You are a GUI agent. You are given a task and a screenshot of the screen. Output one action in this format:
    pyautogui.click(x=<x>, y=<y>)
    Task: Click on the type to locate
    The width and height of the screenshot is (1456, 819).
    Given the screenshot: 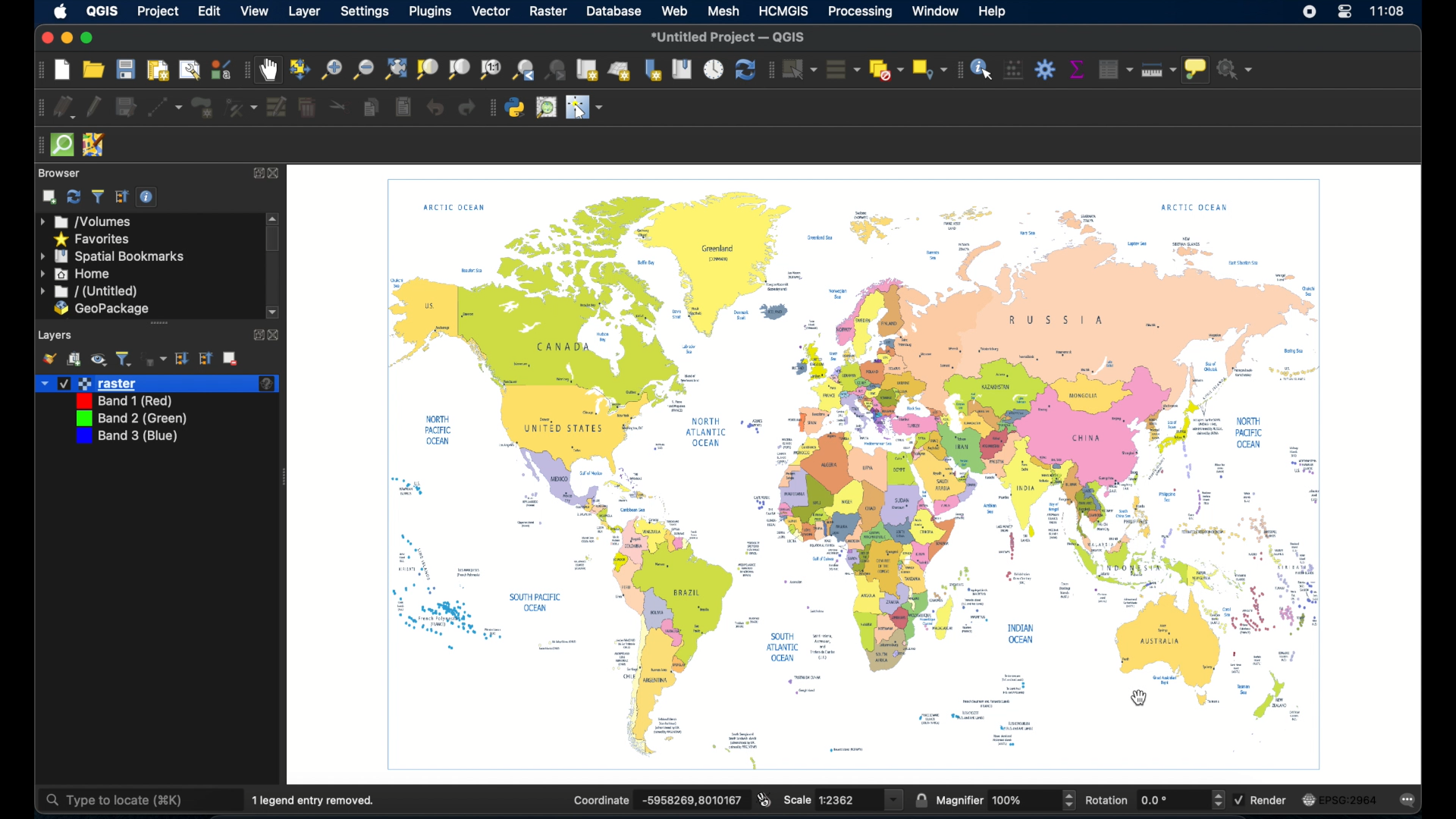 What is the action you would take?
    pyautogui.click(x=118, y=799)
    